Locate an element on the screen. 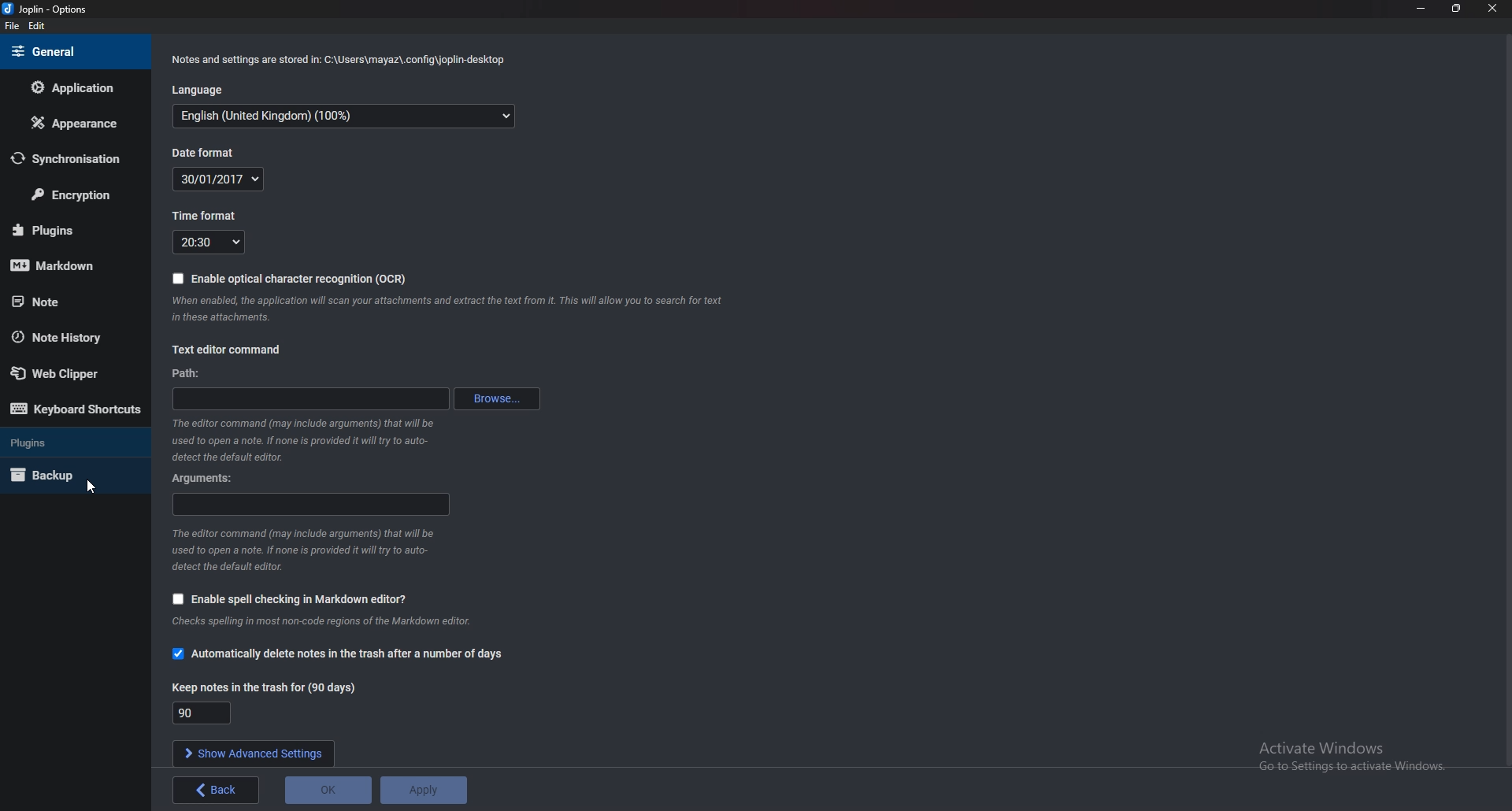 The image size is (1512, 811). Note history is located at coordinates (69, 336).